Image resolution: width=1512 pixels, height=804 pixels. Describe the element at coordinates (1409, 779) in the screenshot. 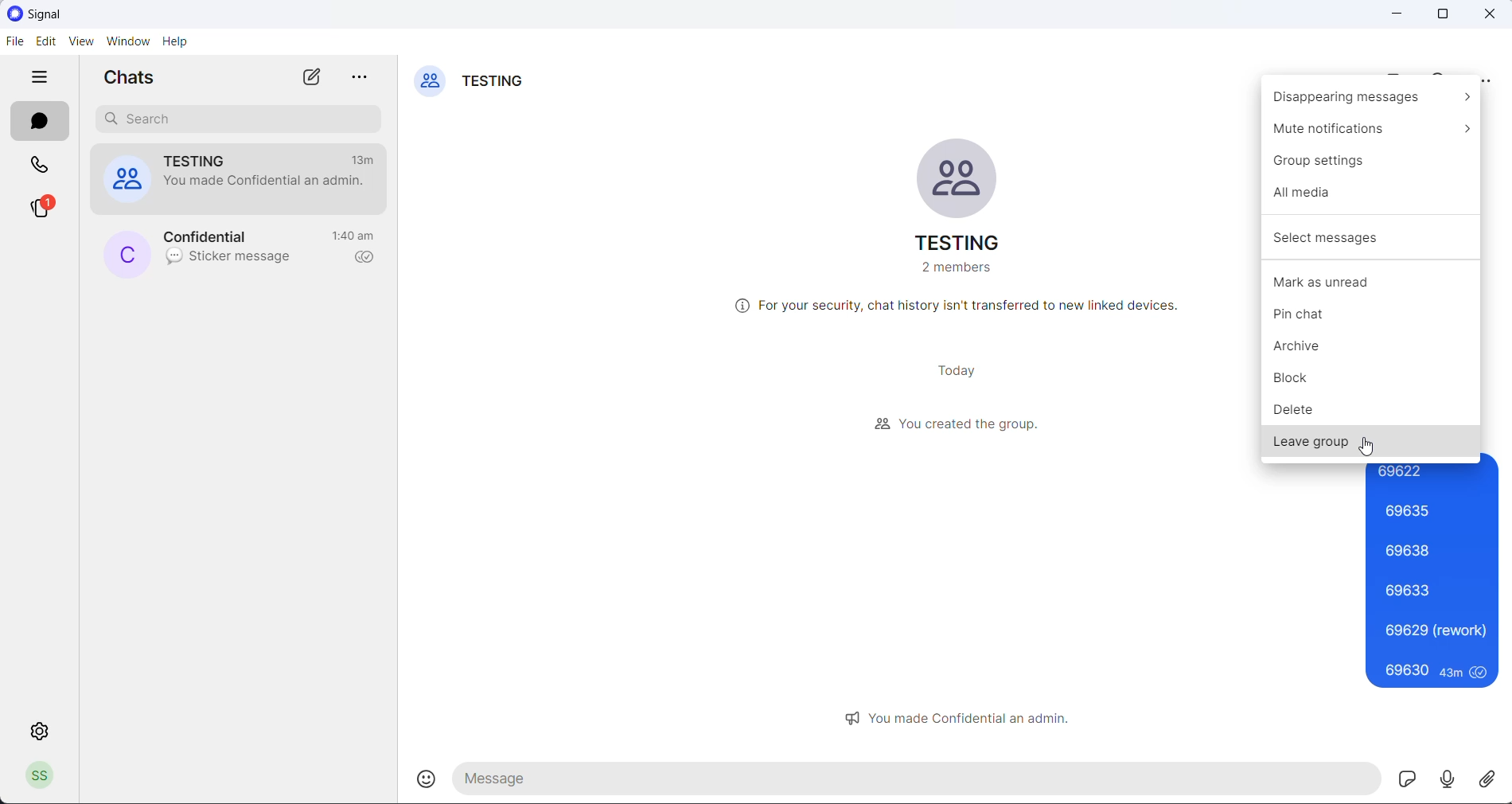

I see `sticker` at that location.